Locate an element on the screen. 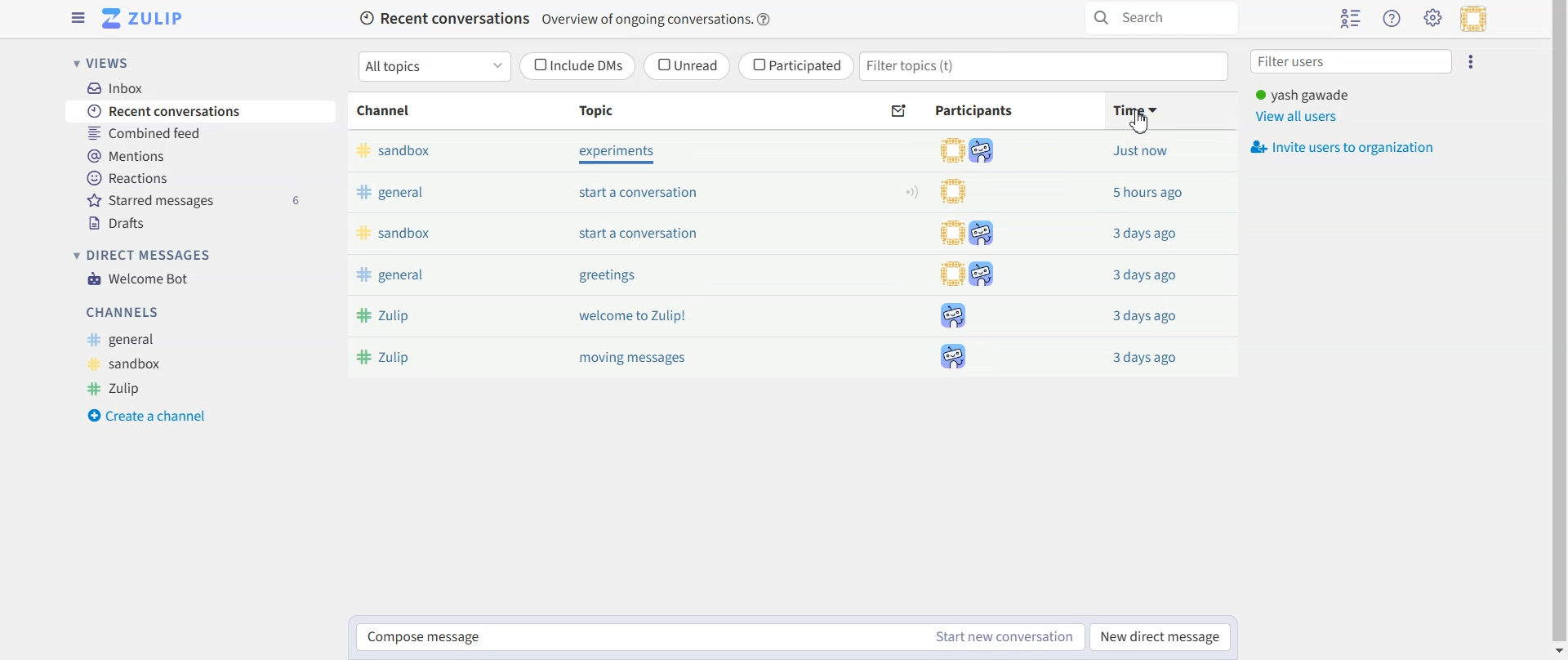 Image resolution: width=1568 pixels, height=660 pixels. Topic is located at coordinates (621, 111).